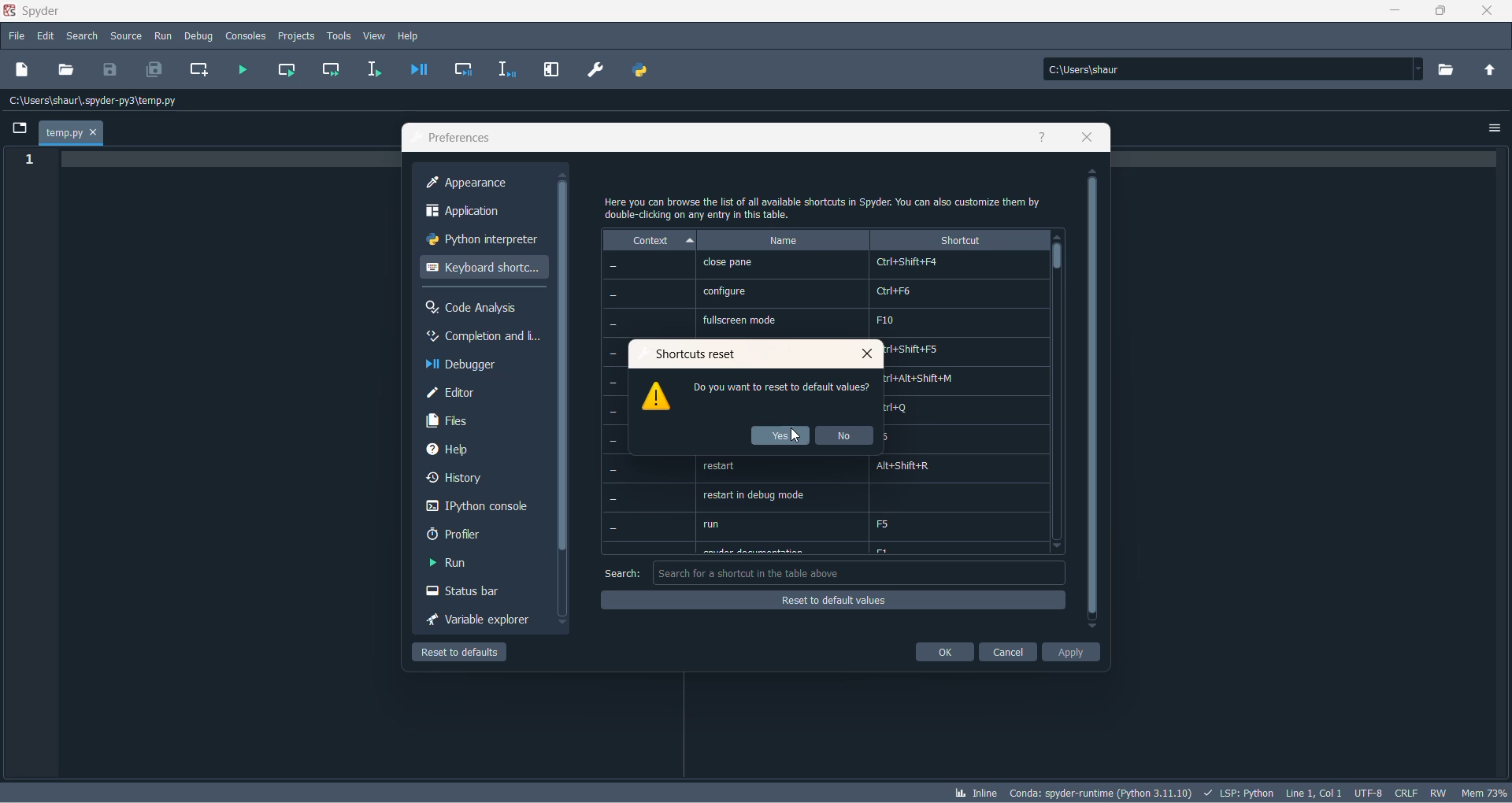 The width and height of the screenshot is (1512, 803). Describe the element at coordinates (465, 70) in the screenshot. I see `debug cell` at that location.